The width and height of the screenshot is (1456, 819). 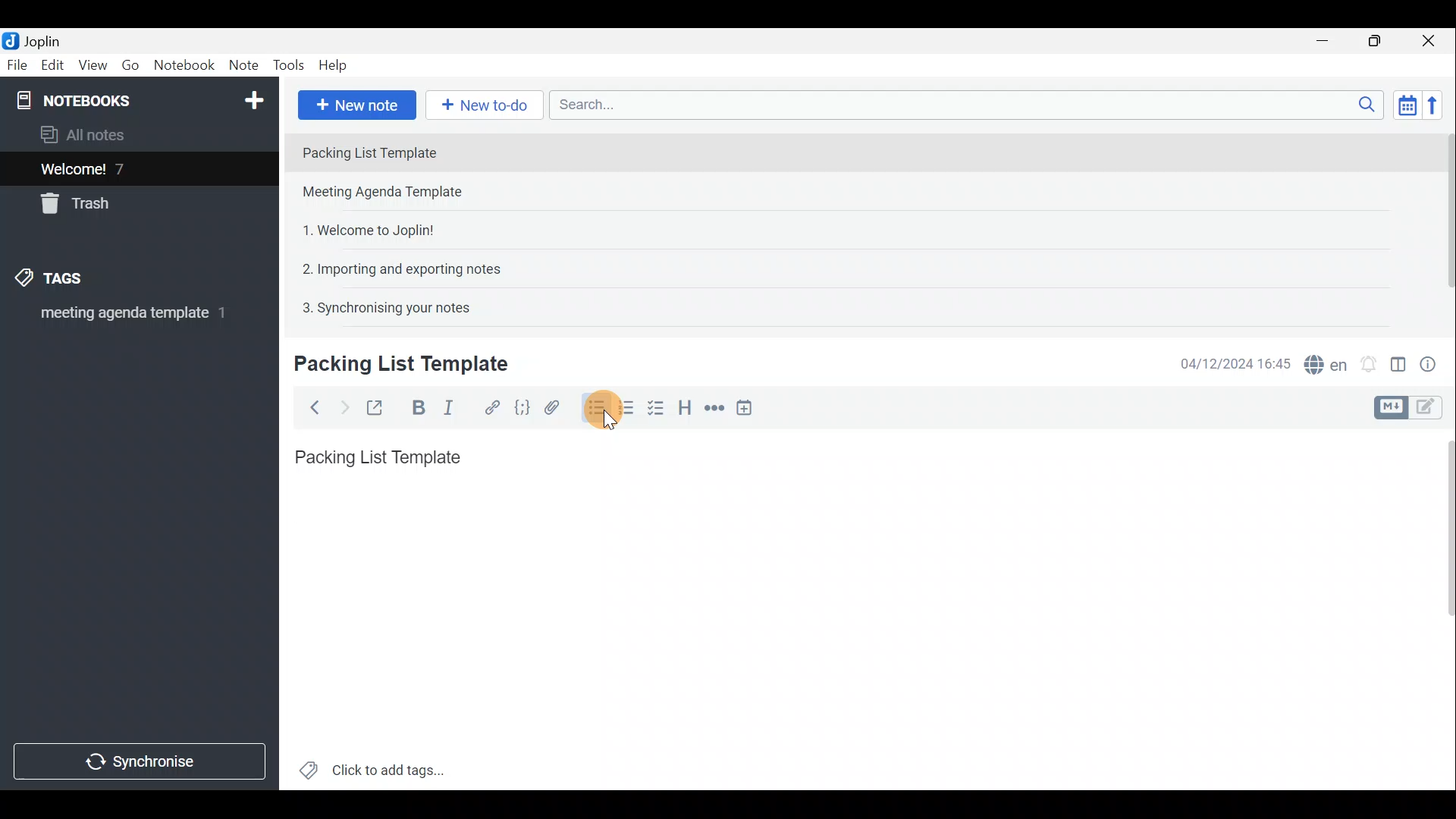 What do you see at coordinates (661, 412) in the screenshot?
I see `Checkbox` at bounding box center [661, 412].